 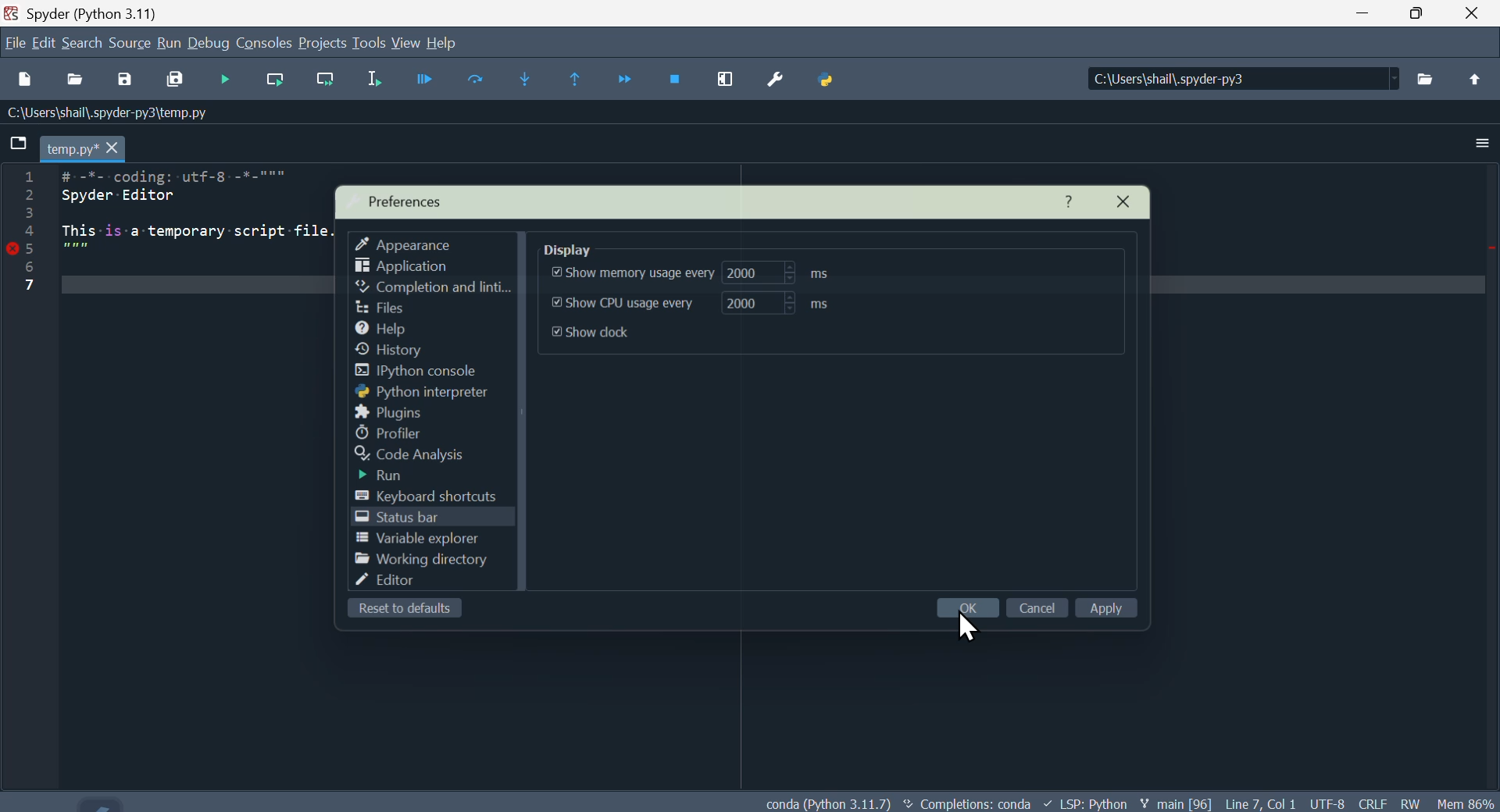 I want to click on Tools, so click(x=369, y=42).